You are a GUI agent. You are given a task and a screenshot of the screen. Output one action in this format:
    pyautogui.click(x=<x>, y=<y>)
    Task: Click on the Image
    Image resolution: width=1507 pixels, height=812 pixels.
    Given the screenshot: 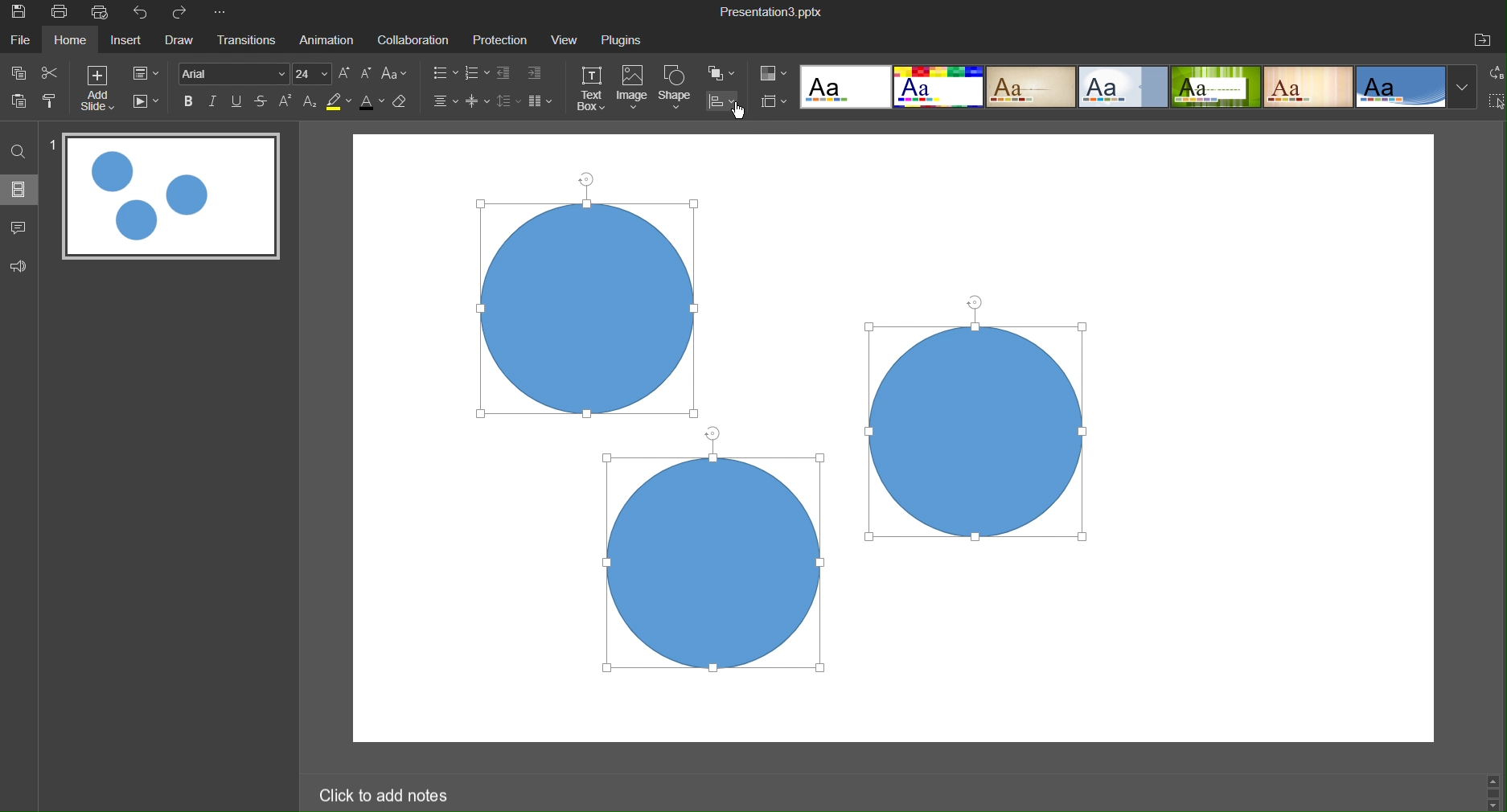 What is the action you would take?
    pyautogui.click(x=634, y=89)
    